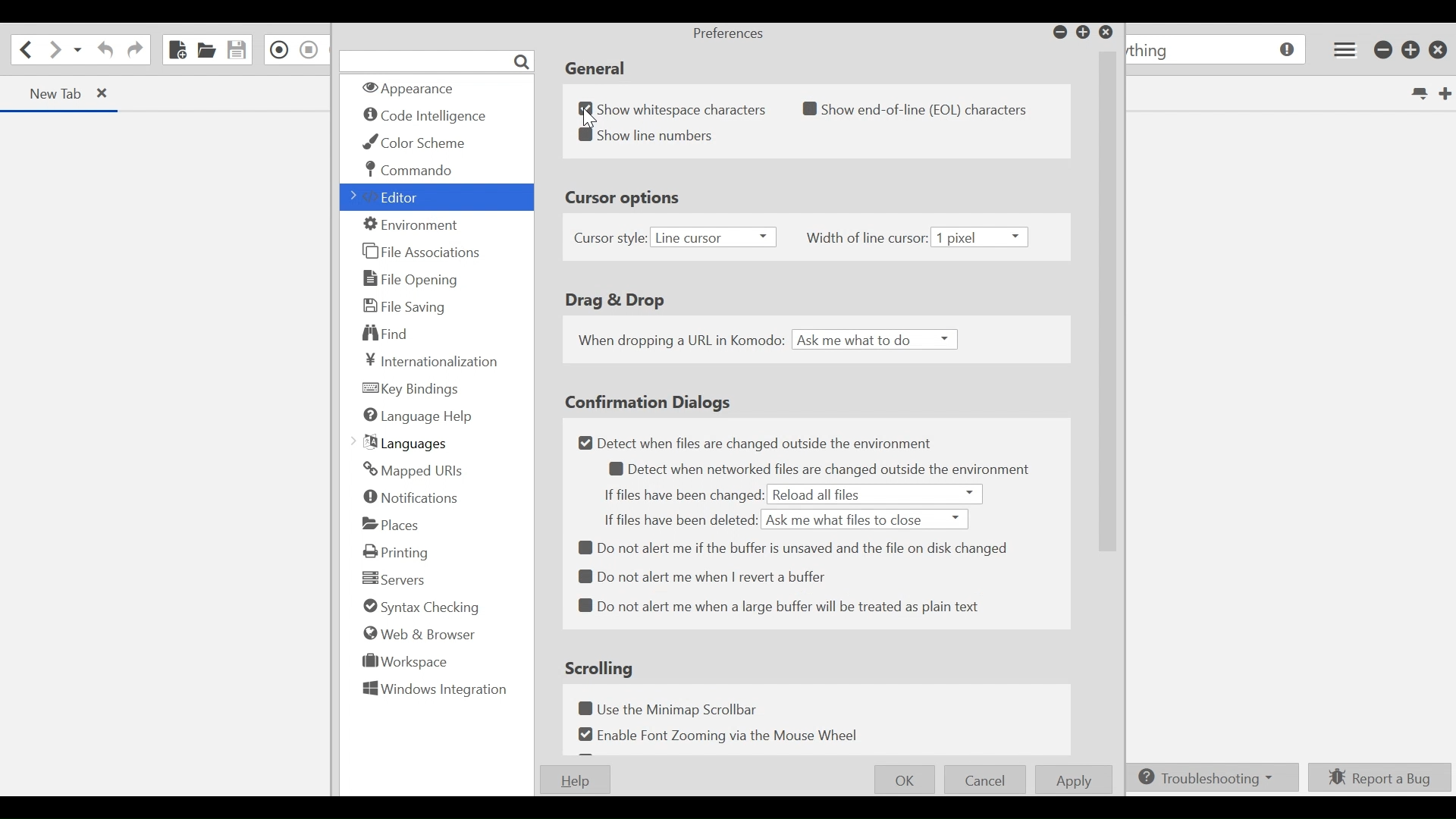 This screenshot has height=819, width=1456. Describe the element at coordinates (1377, 778) in the screenshot. I see `Report a bug` at that location.